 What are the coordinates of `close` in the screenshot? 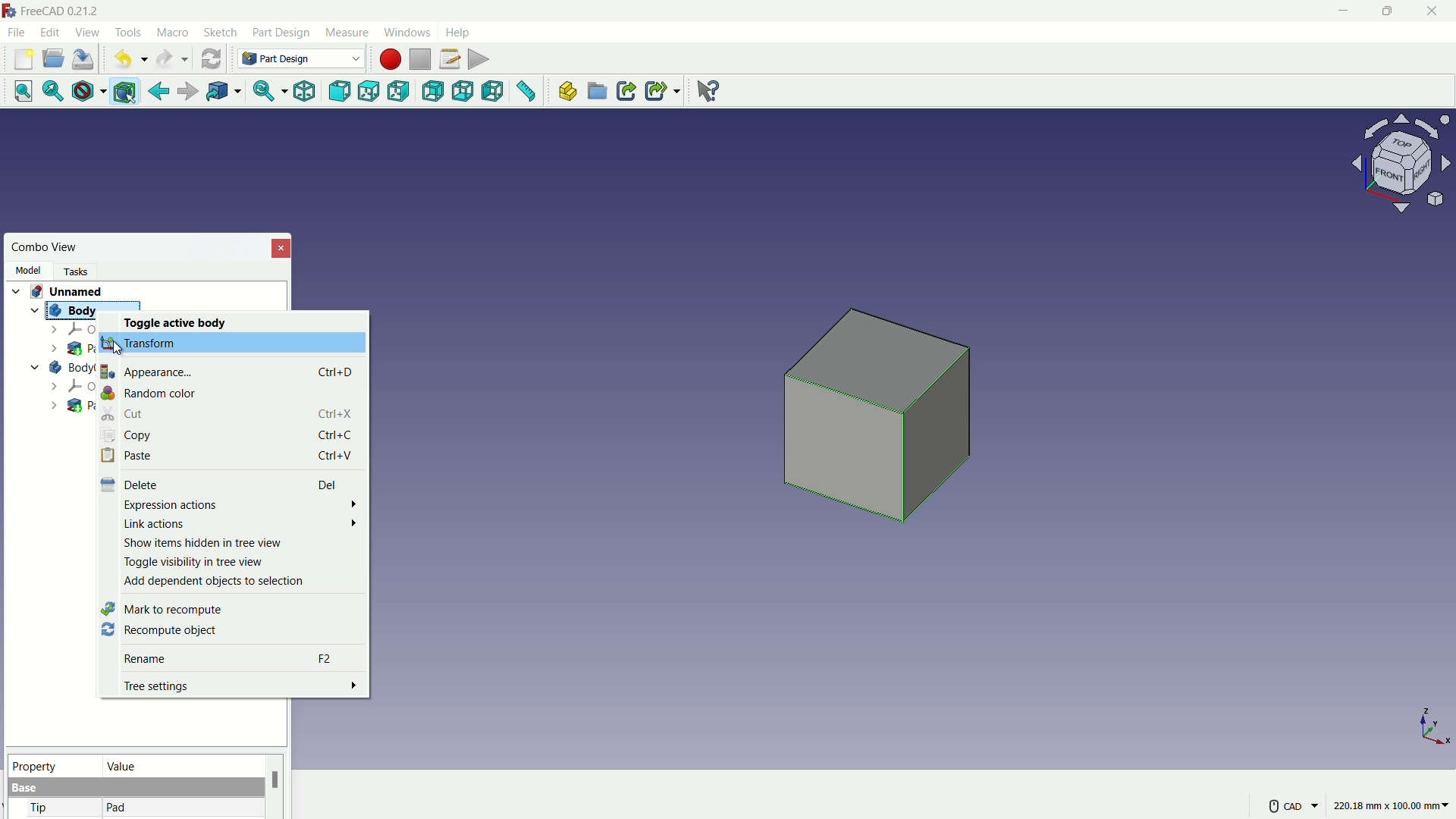 It's located at (282, 247).